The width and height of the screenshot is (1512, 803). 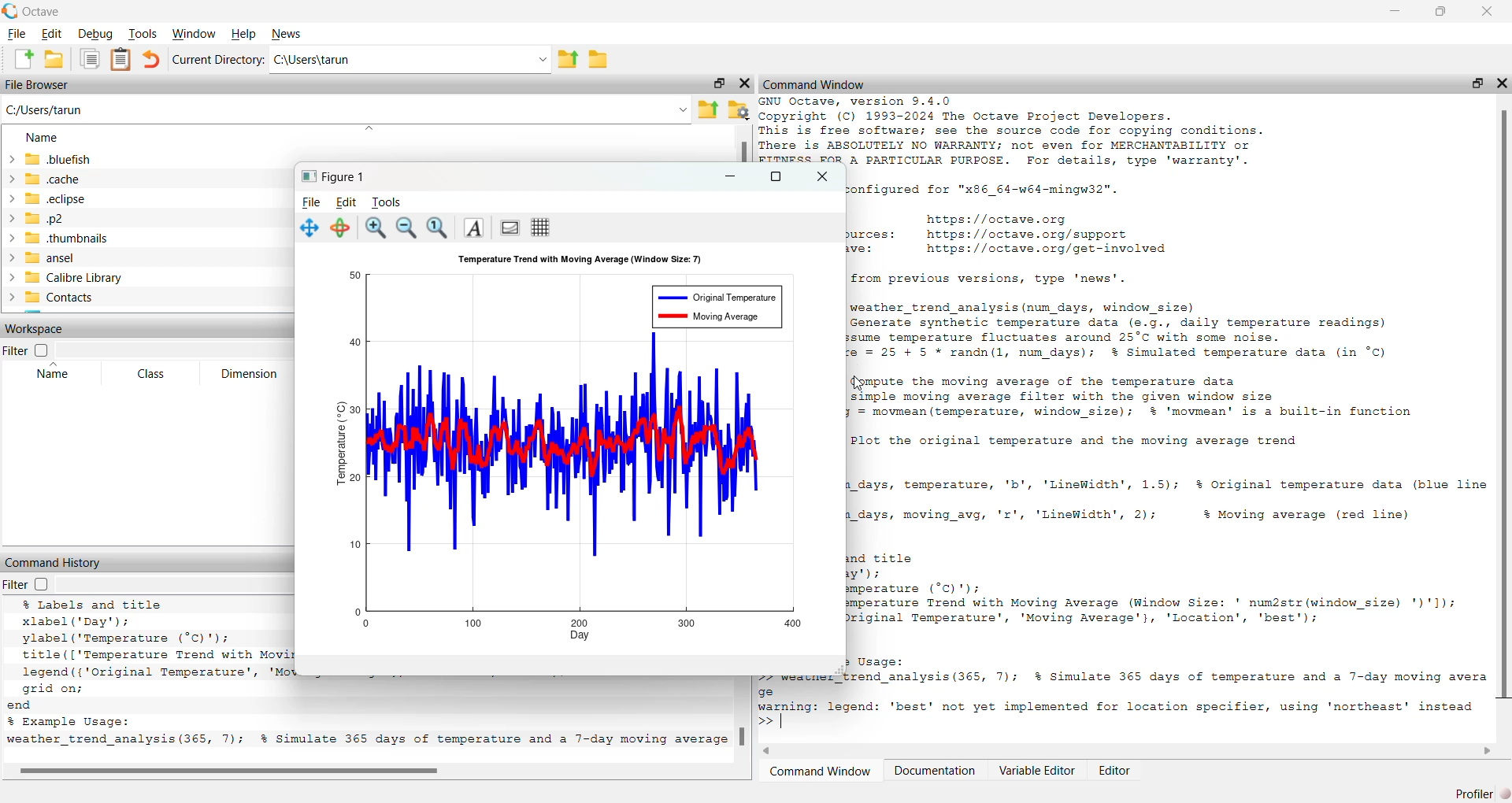 I want to click on xlabel ("Sum of Two Dice’);

ylabel ('Probability'):

title (['Probability Distribution of Rolling Two Dice (', num2str (num rolls), ' Rolls)'l):
grid on;

xticks (2:12); % Set x-ticks to represent sums from 2 to 12

d

Example Usage:

mulate_dice_rolls(10000); % Simulate 10,000 rolls of two dice

Octave 9.4.0, Wed Feb 26 11:22:56 2025 GMT <unknown@Richie_rich>, so click(x=150, y=661).